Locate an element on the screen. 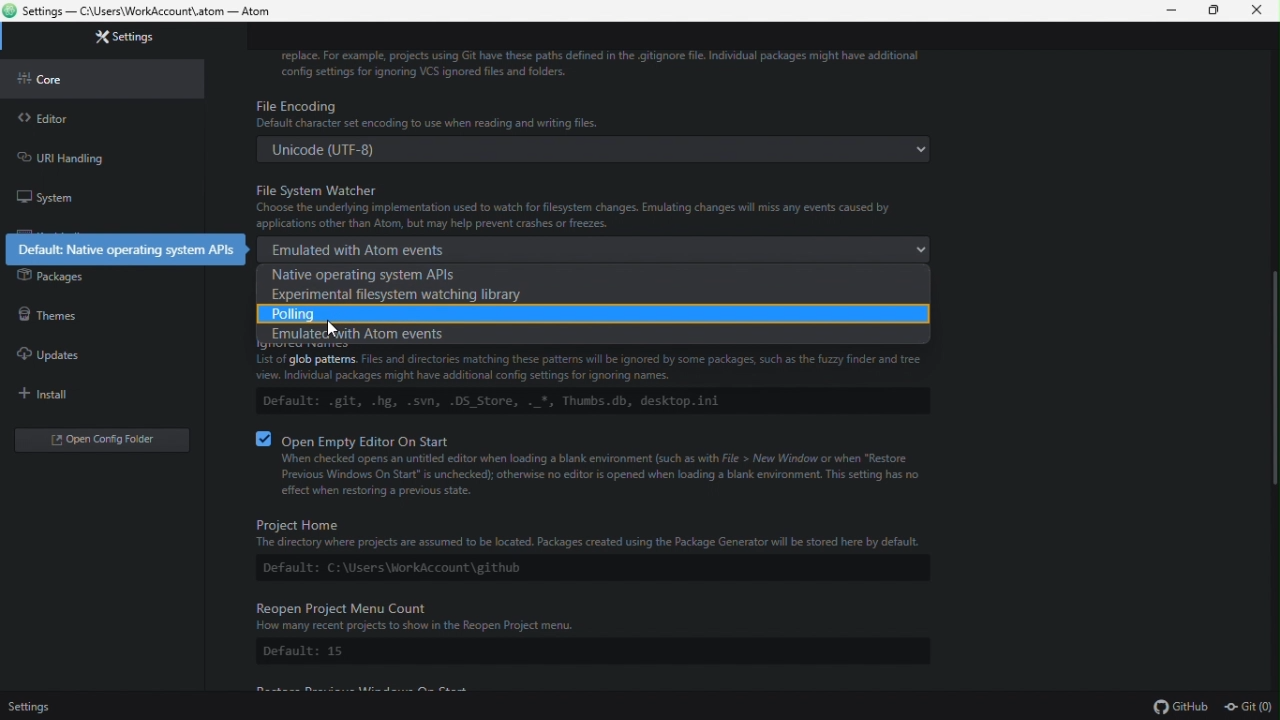  Default: .git, .hg, .svn, .DS_Store, ._*, Thumbs.db, desktop.ini is located at coordinates (496, 402).